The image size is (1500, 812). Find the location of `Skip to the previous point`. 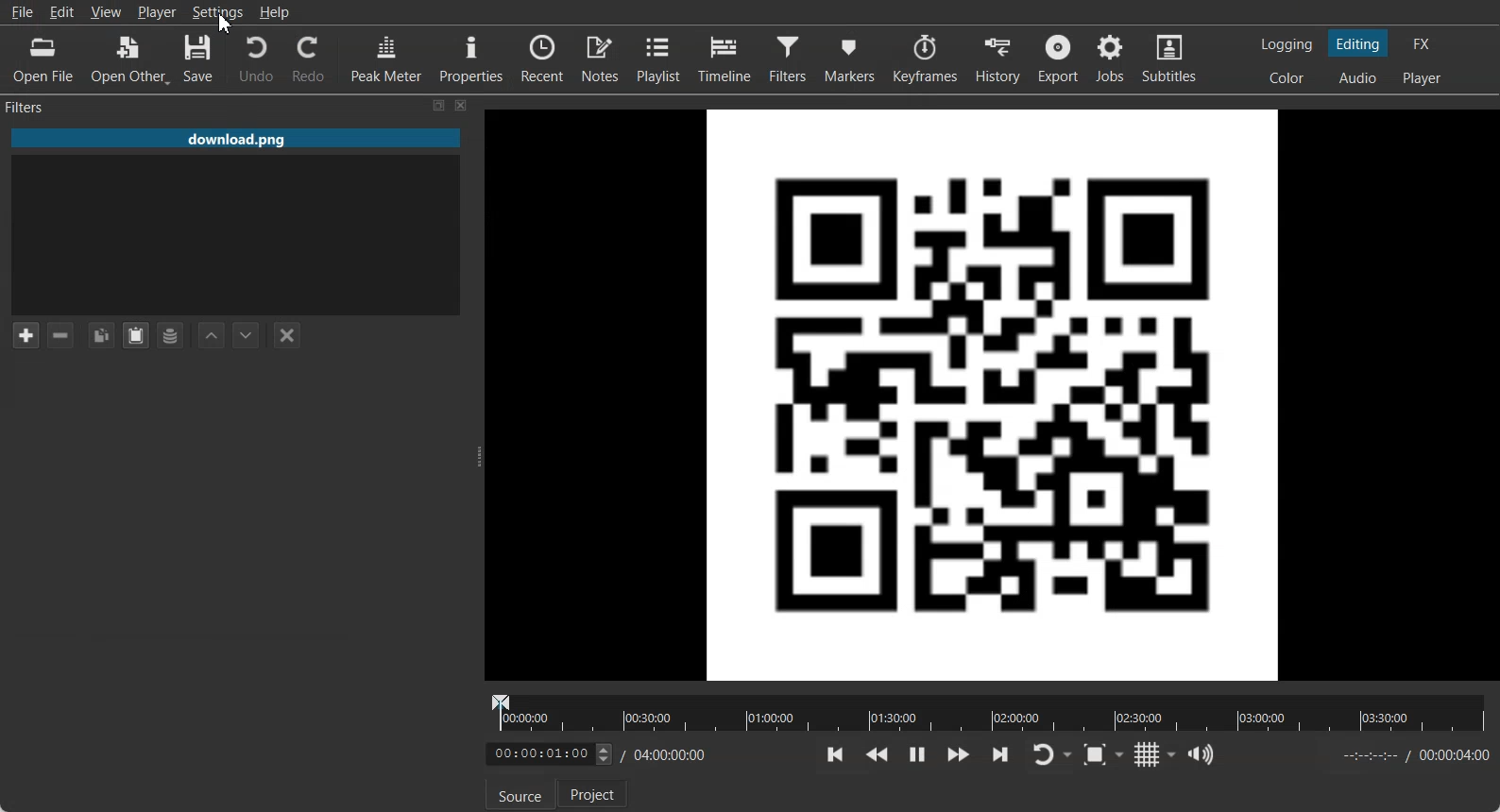

Skip to the previous point is located at coordinates (836, 754).